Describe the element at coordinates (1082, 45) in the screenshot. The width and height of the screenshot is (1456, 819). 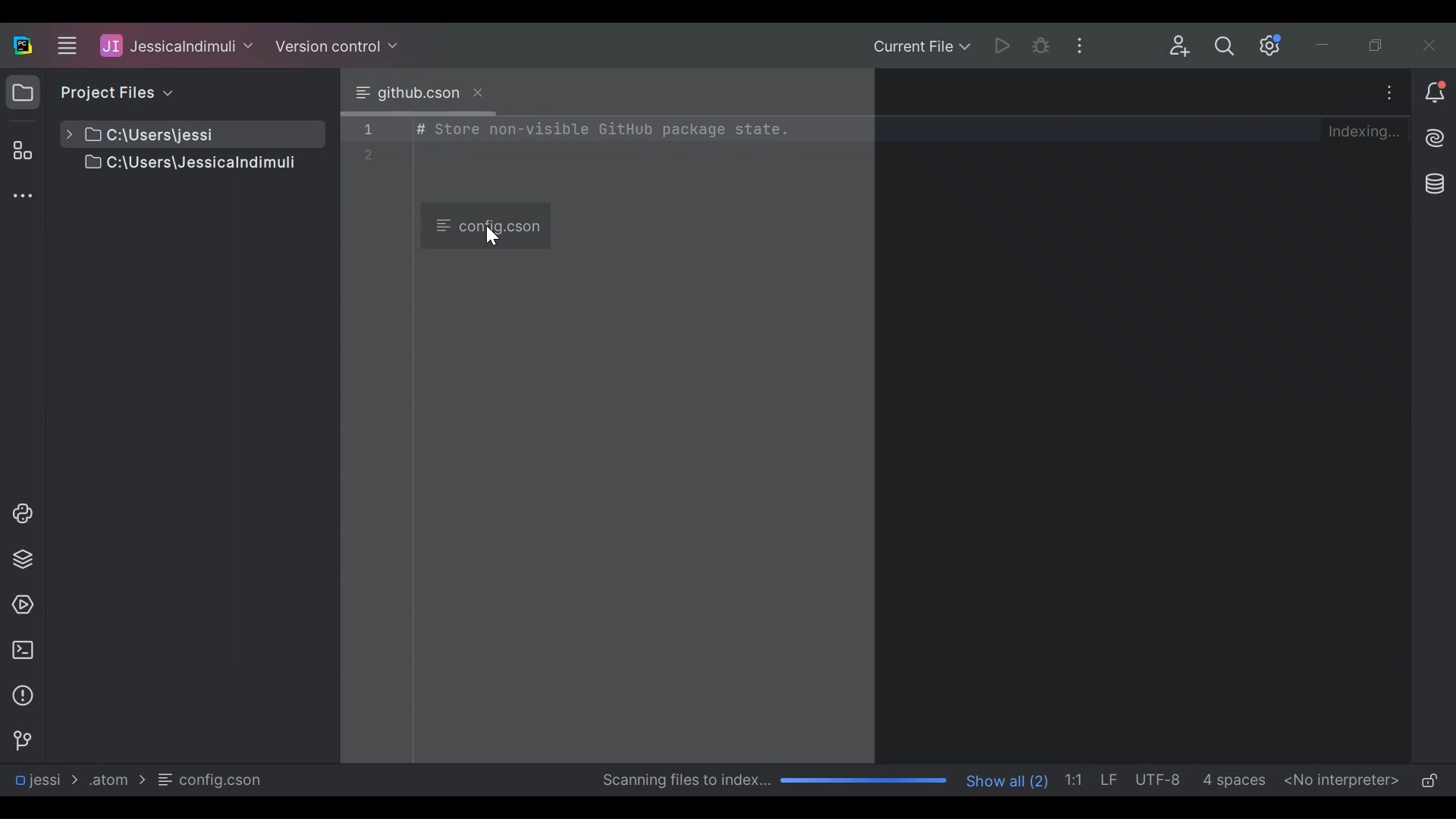
I see `More Options` at that location.